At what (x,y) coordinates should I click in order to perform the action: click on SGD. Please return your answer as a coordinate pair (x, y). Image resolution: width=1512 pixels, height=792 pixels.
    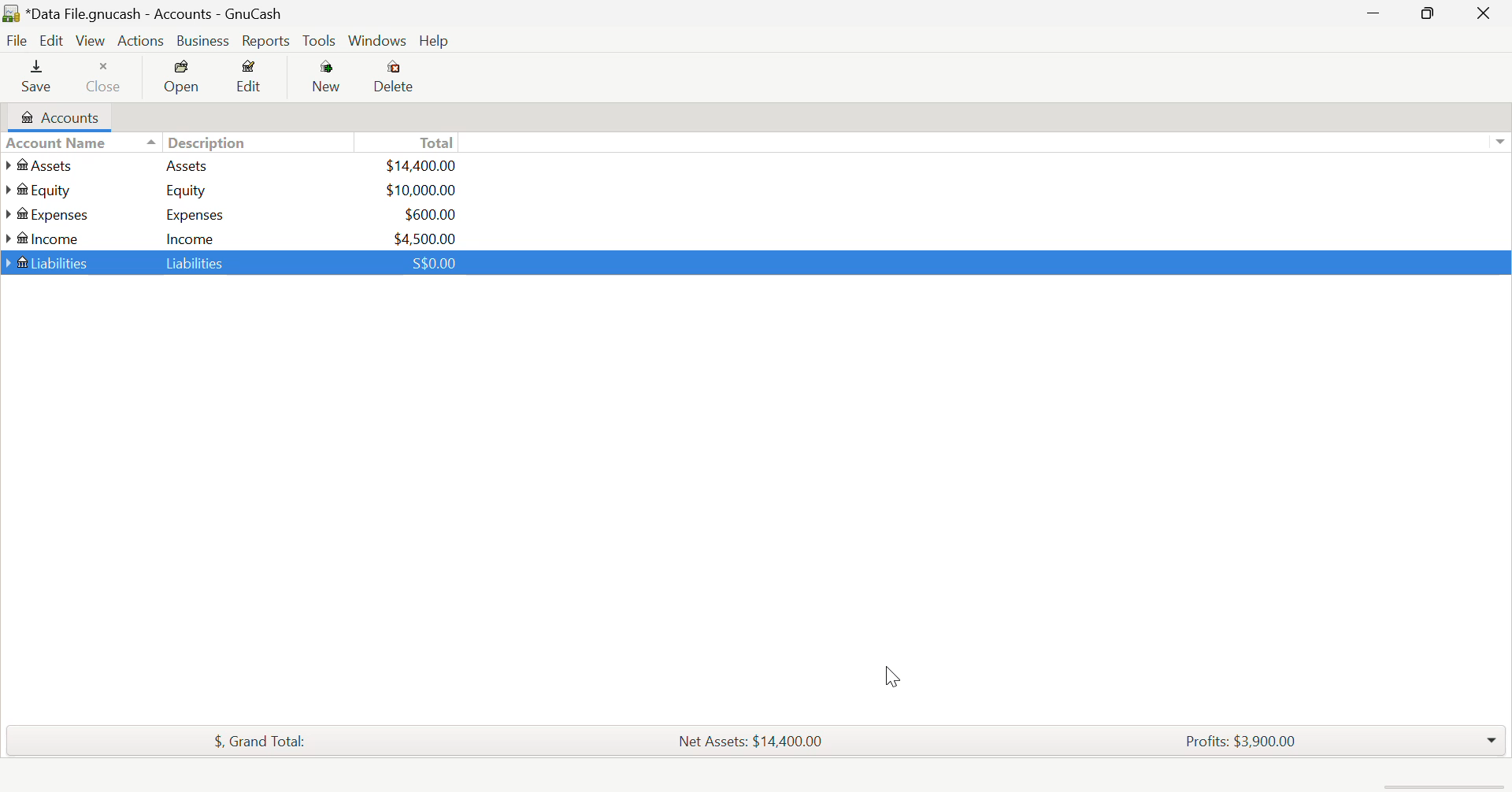
    Looking at the image, I should click on (434, 262).